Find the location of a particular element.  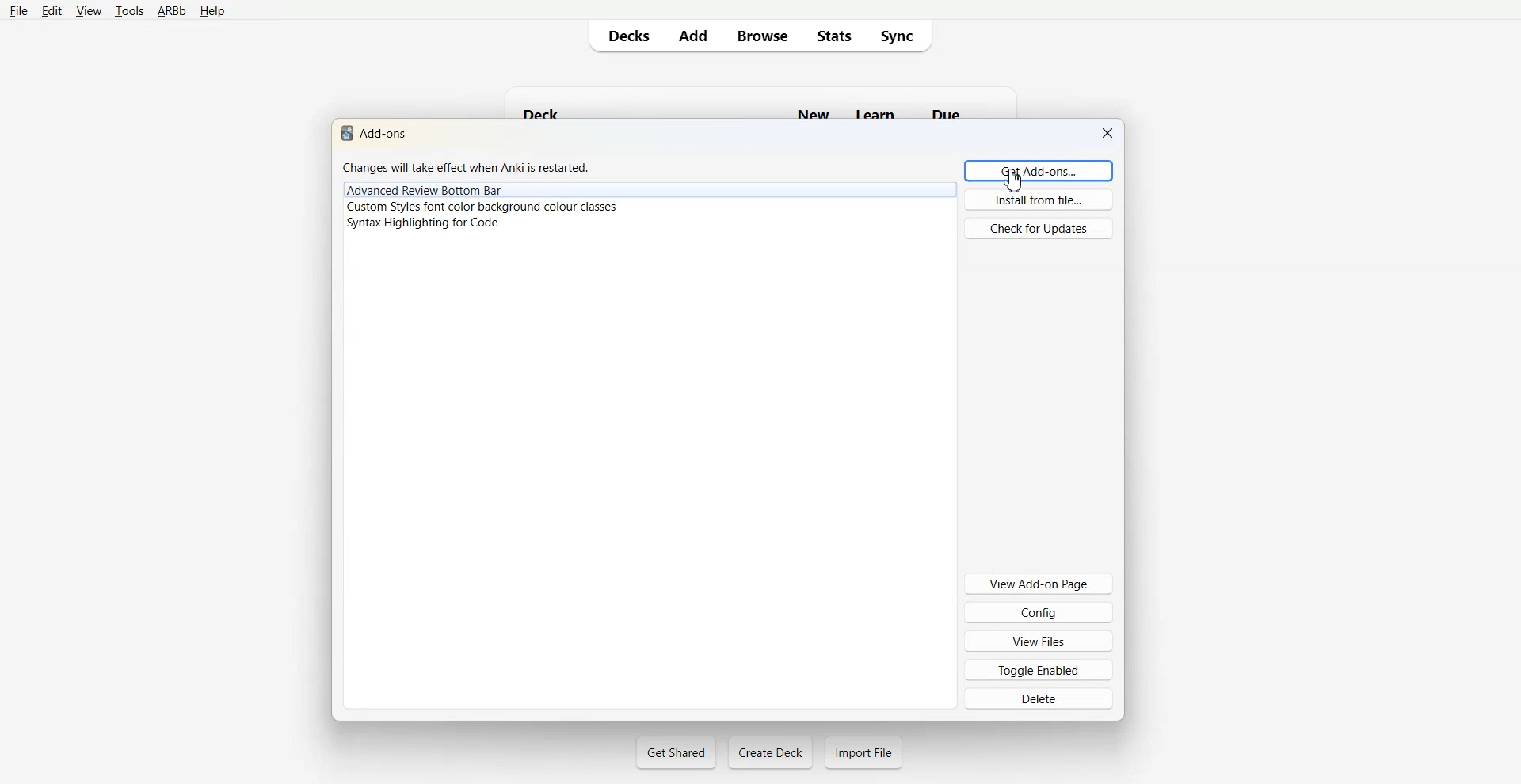

Get Shared is located at coordinates (677, 751).